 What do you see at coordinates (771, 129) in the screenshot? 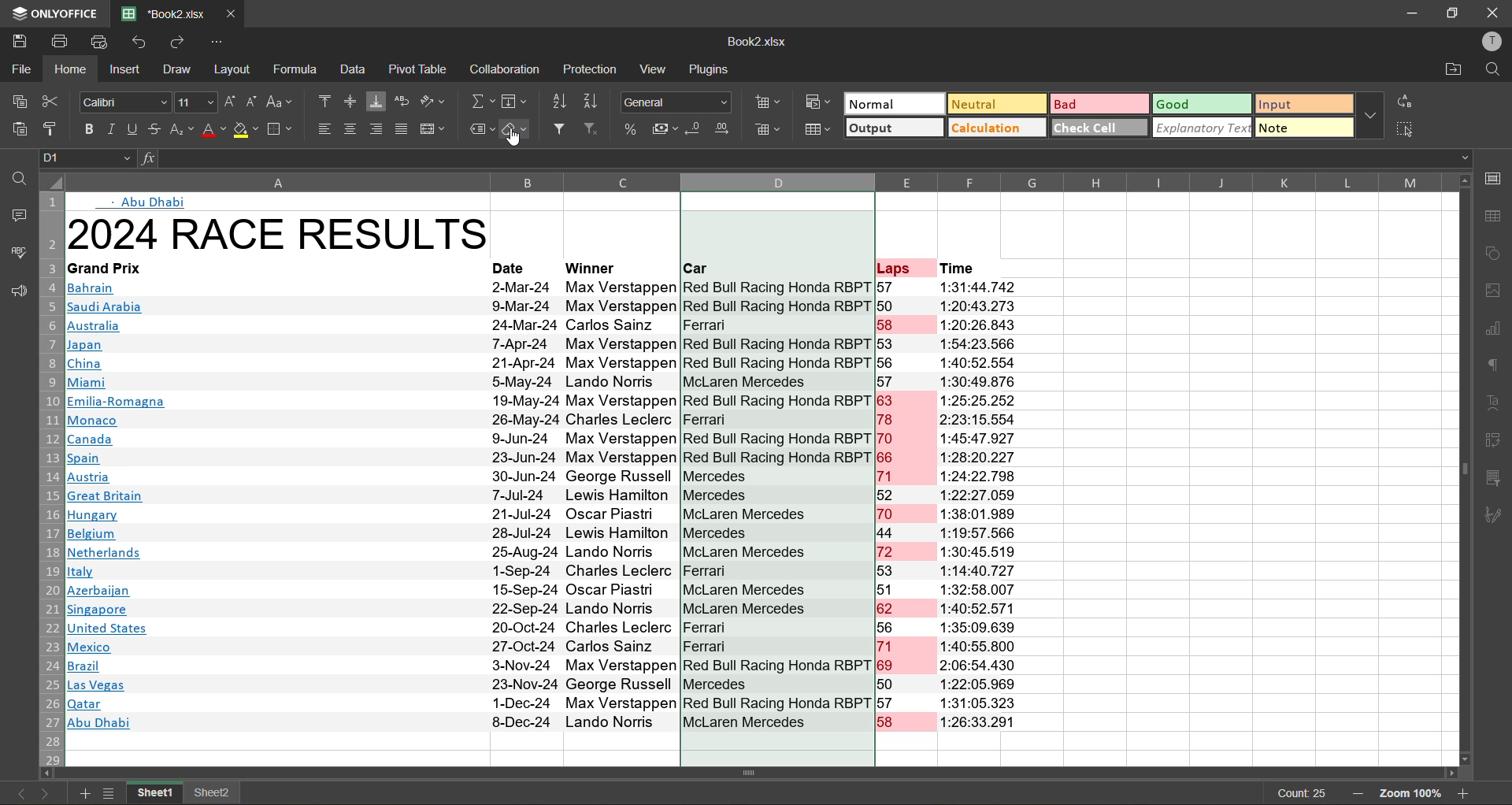
I see `delete cells` at bounding box center [771, 129].